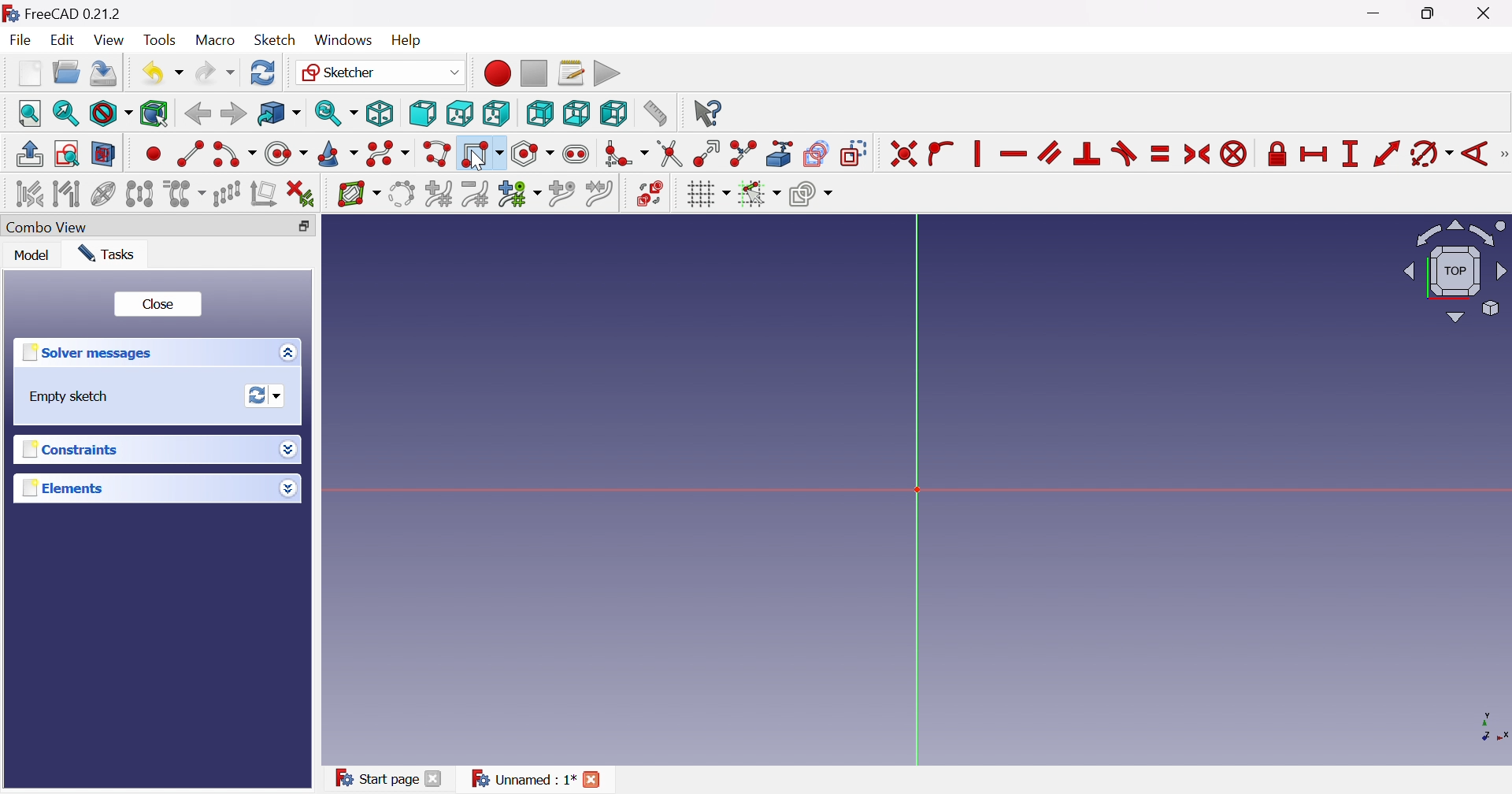  I want to click on Windows, so click(343, 40).